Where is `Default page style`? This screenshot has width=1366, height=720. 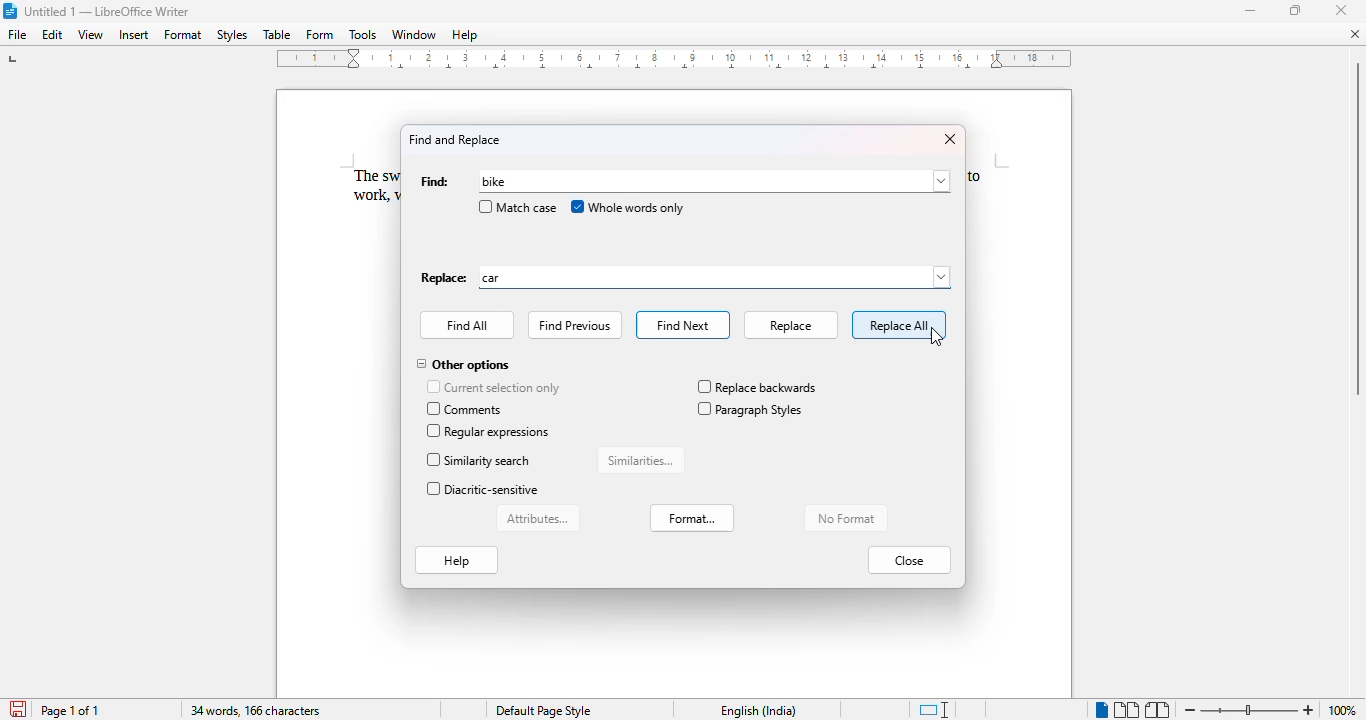 Default page style is located at coordinates (542, 711).